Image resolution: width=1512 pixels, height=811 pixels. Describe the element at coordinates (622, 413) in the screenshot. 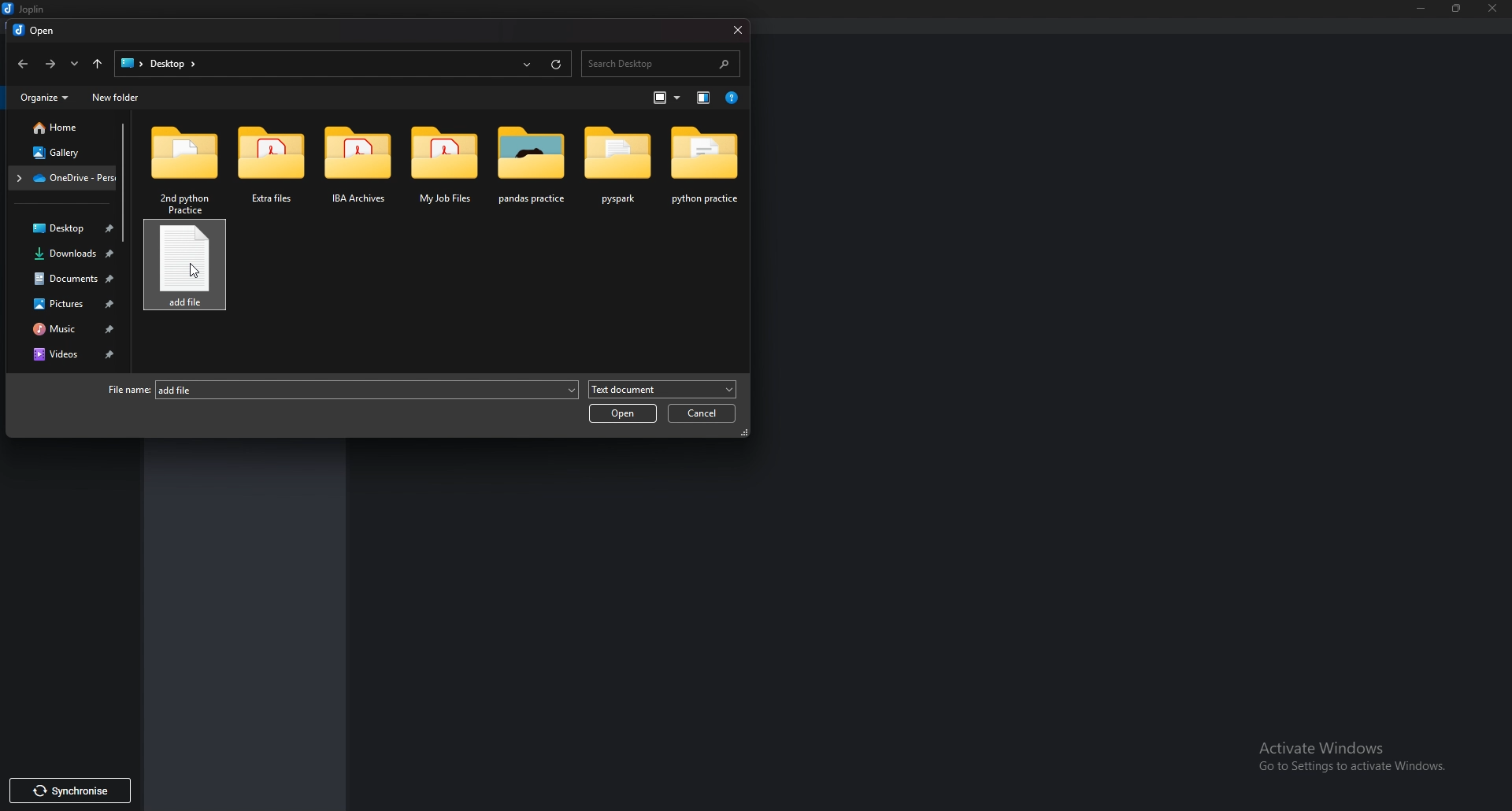

I see `open` at that location.